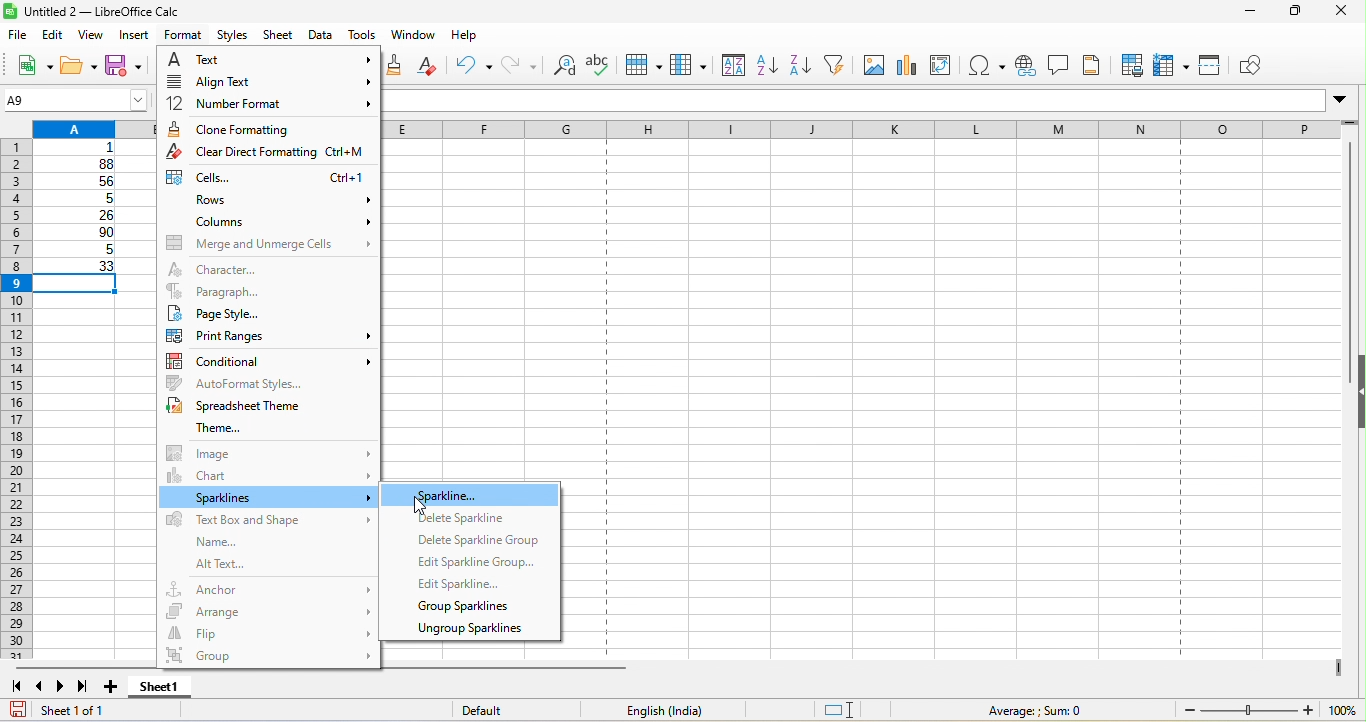 The width and height of the screenshot is (1366, 722). Describe the element at coordinates (269, 632) in the screenshot. I see `flip` at that location.